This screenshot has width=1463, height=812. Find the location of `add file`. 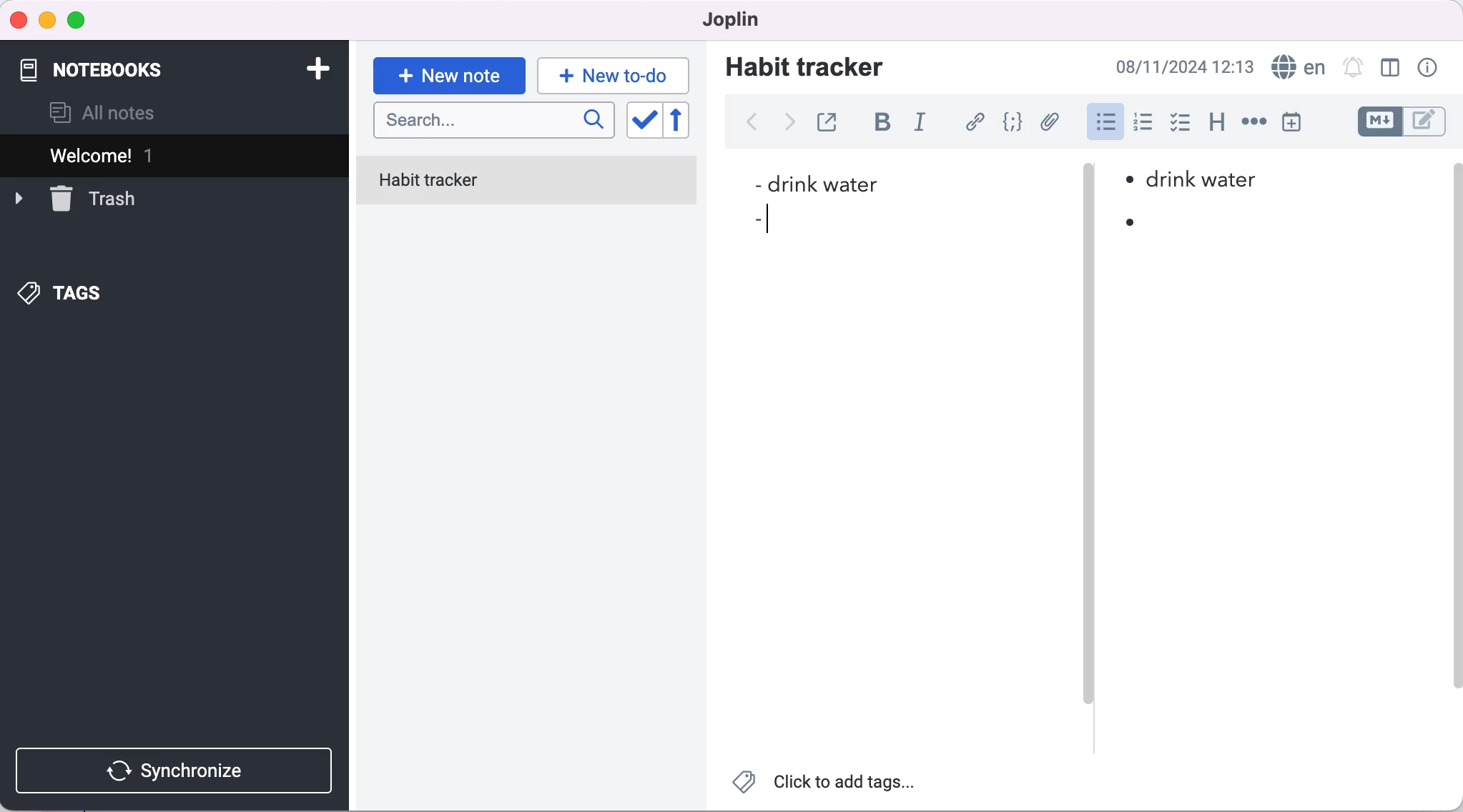

add file is located at coordinates (1053, 124).